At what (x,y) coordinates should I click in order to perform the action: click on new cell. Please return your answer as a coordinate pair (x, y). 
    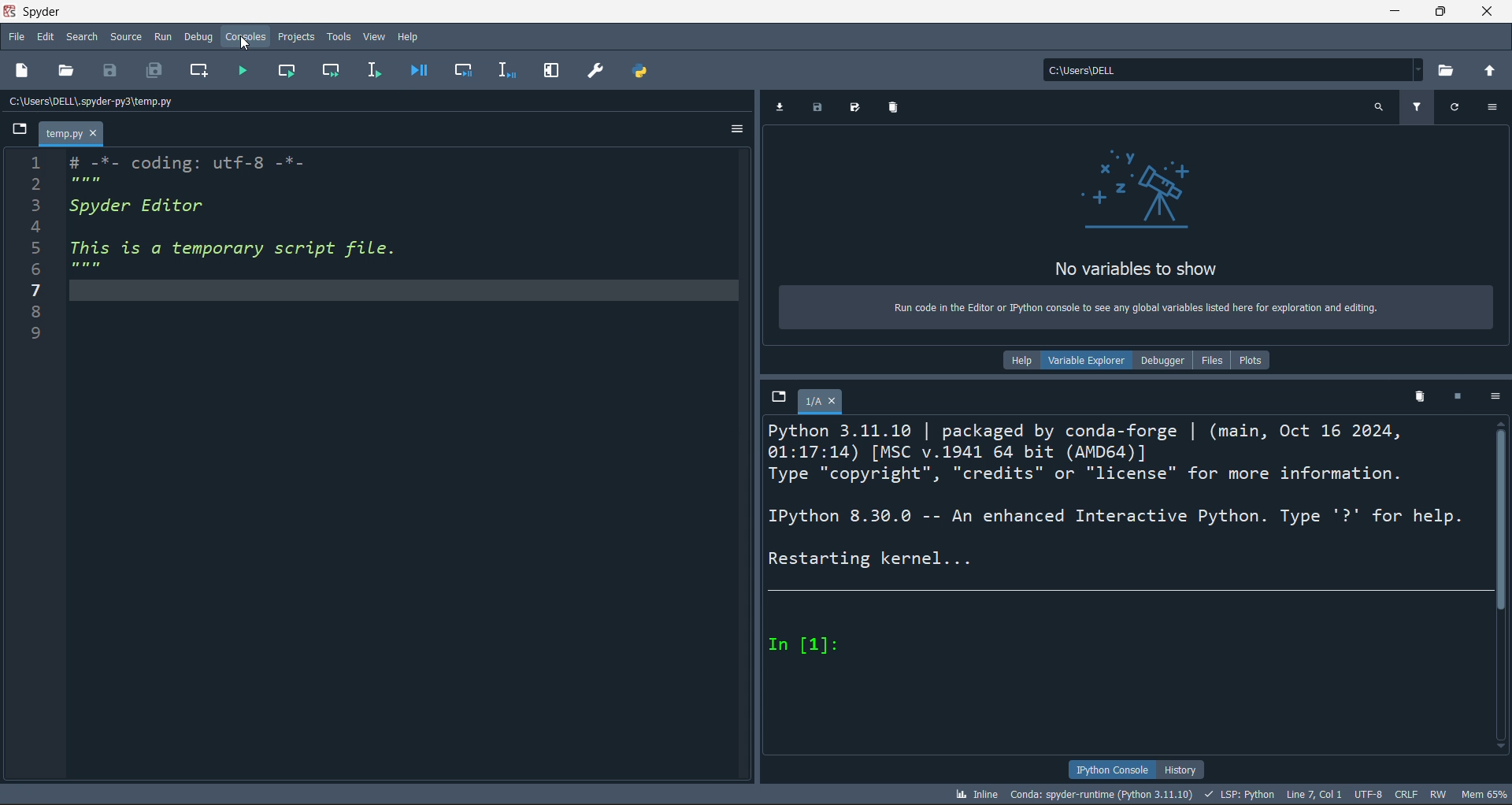
    Looking at the image, I should click on (198, 71).